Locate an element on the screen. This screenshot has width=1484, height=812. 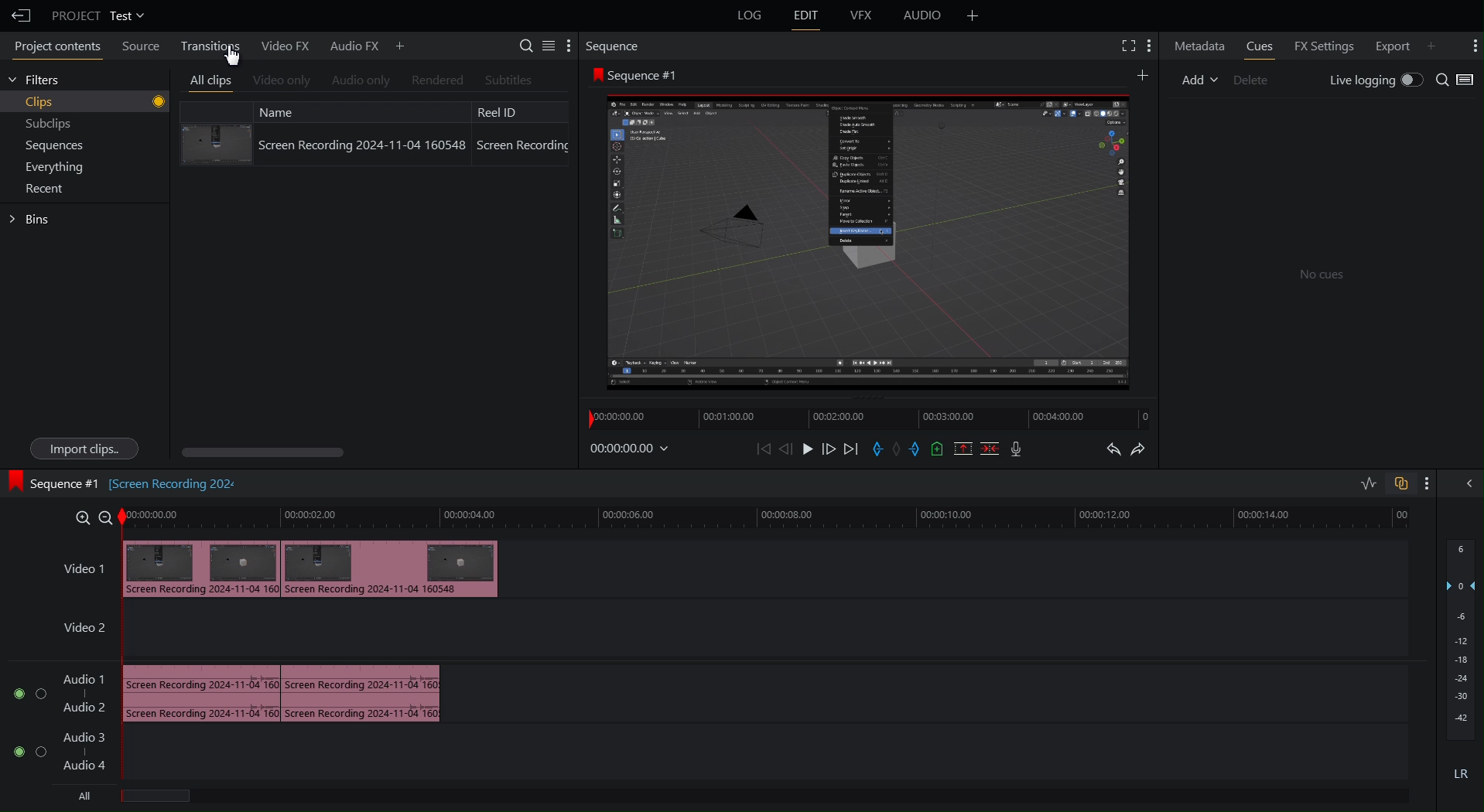
Subtitles is located at coordinates (510, 79).